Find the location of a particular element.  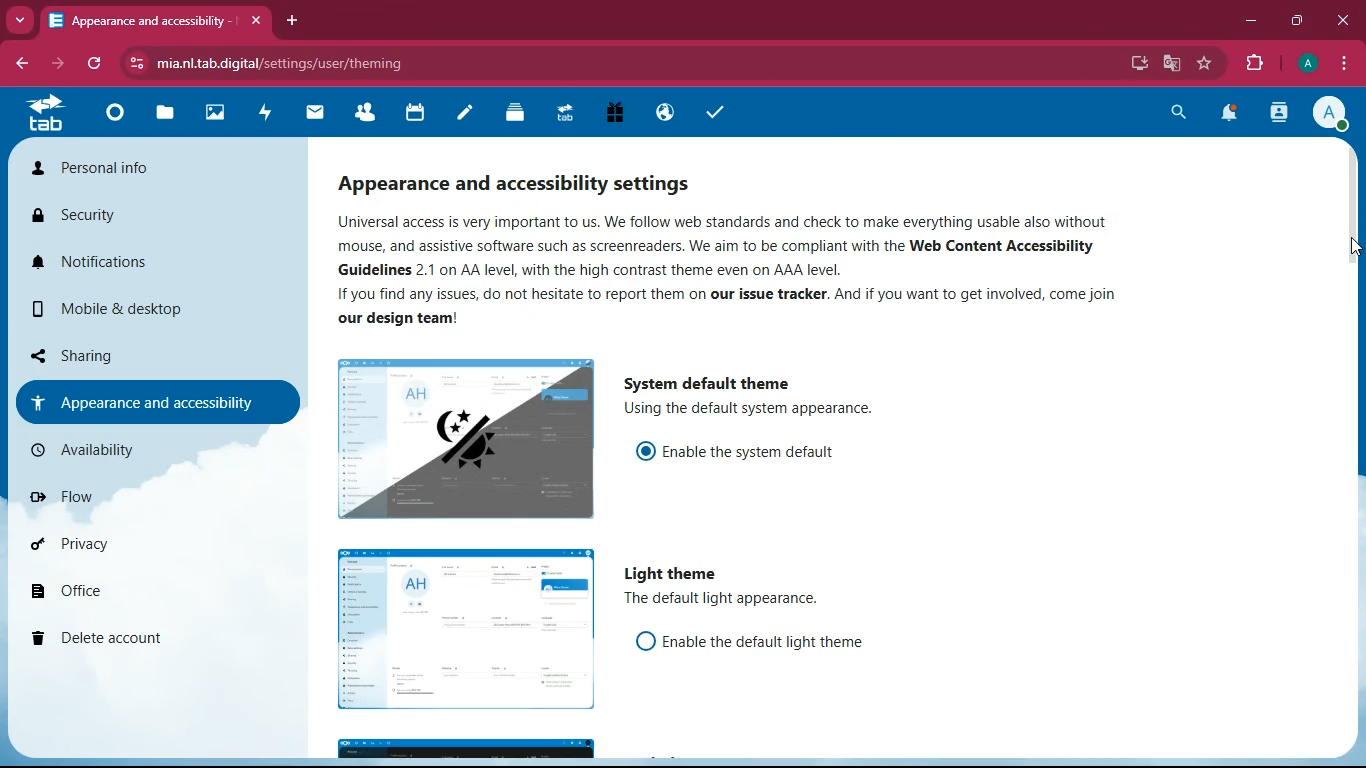

refresh is located at coordinates (95, 64).